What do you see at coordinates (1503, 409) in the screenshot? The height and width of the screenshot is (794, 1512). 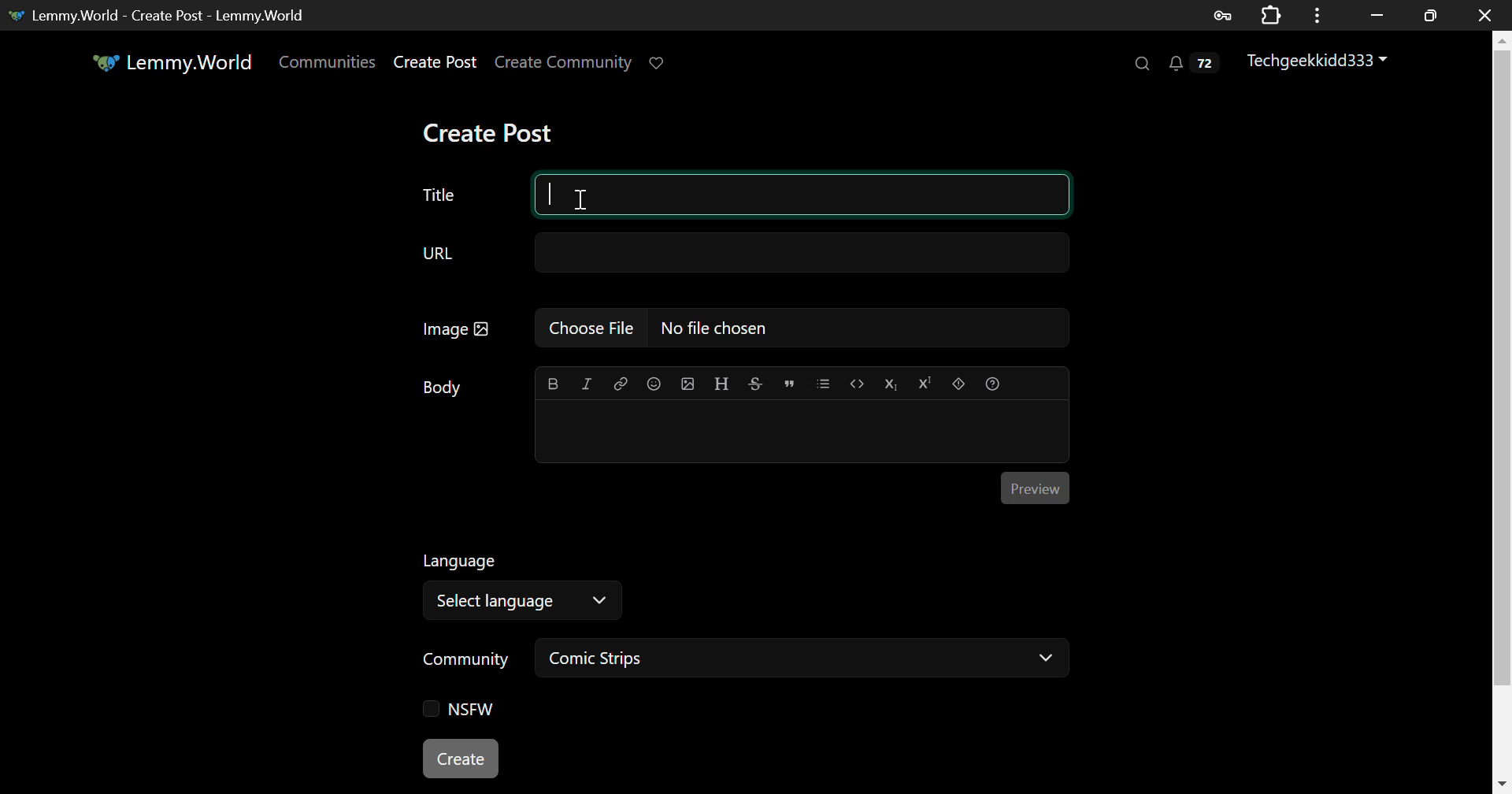 I see `Scroll Bar` at bounding box center [1503, 409].